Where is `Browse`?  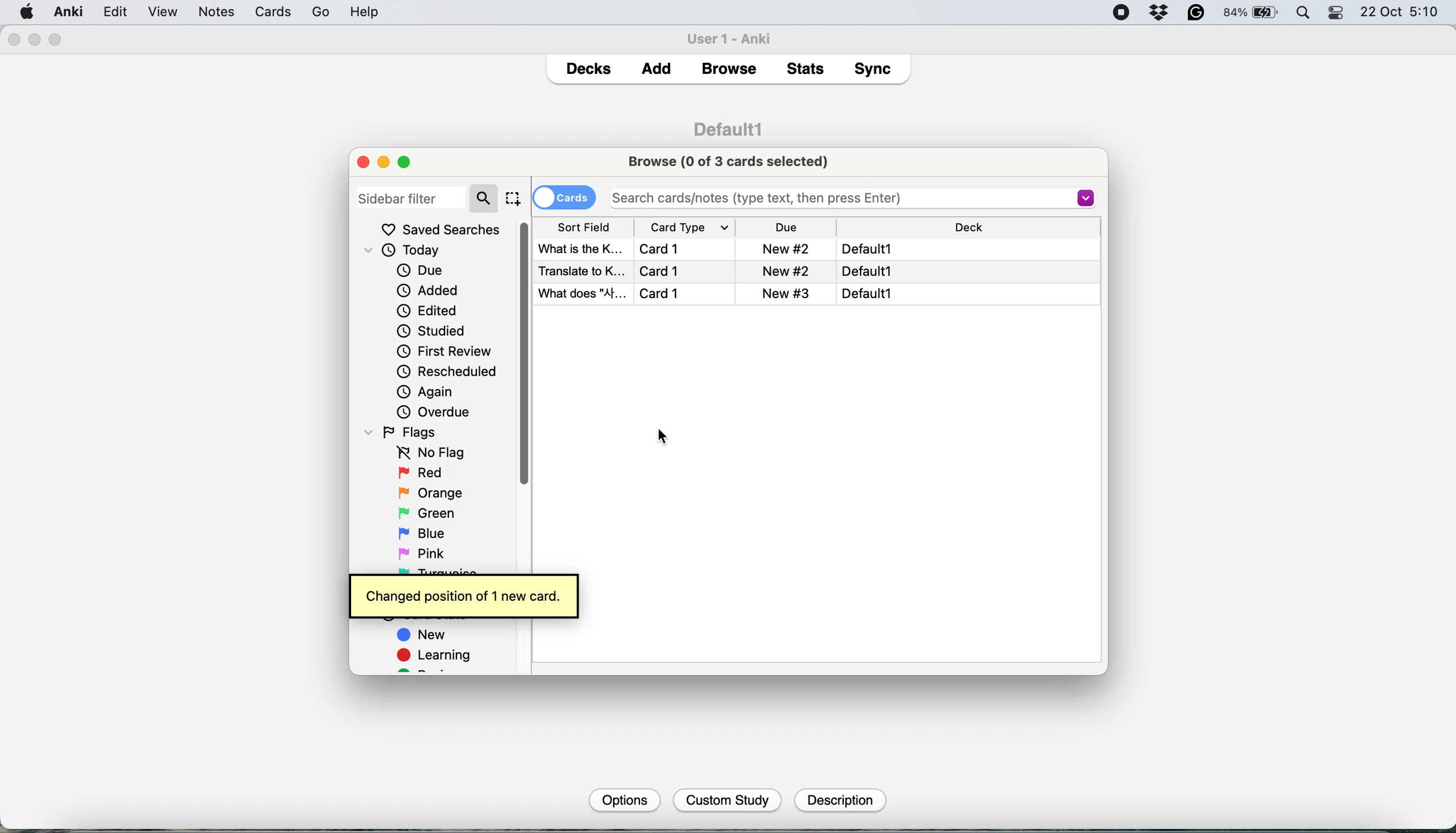 Browse is located at coordinates (728, 69).